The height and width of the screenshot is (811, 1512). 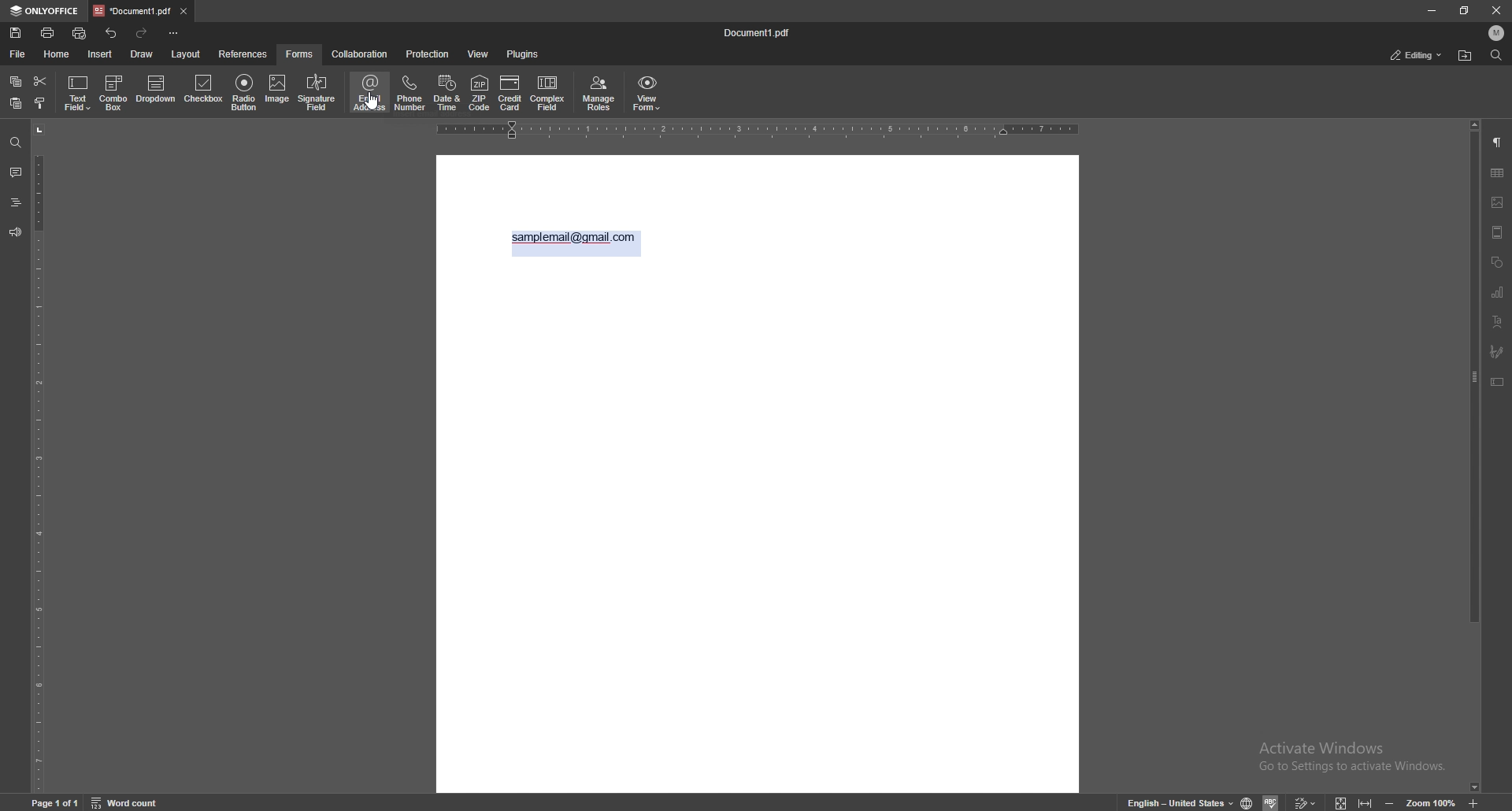 I want to click on radio button, so click(x=245, y=92).